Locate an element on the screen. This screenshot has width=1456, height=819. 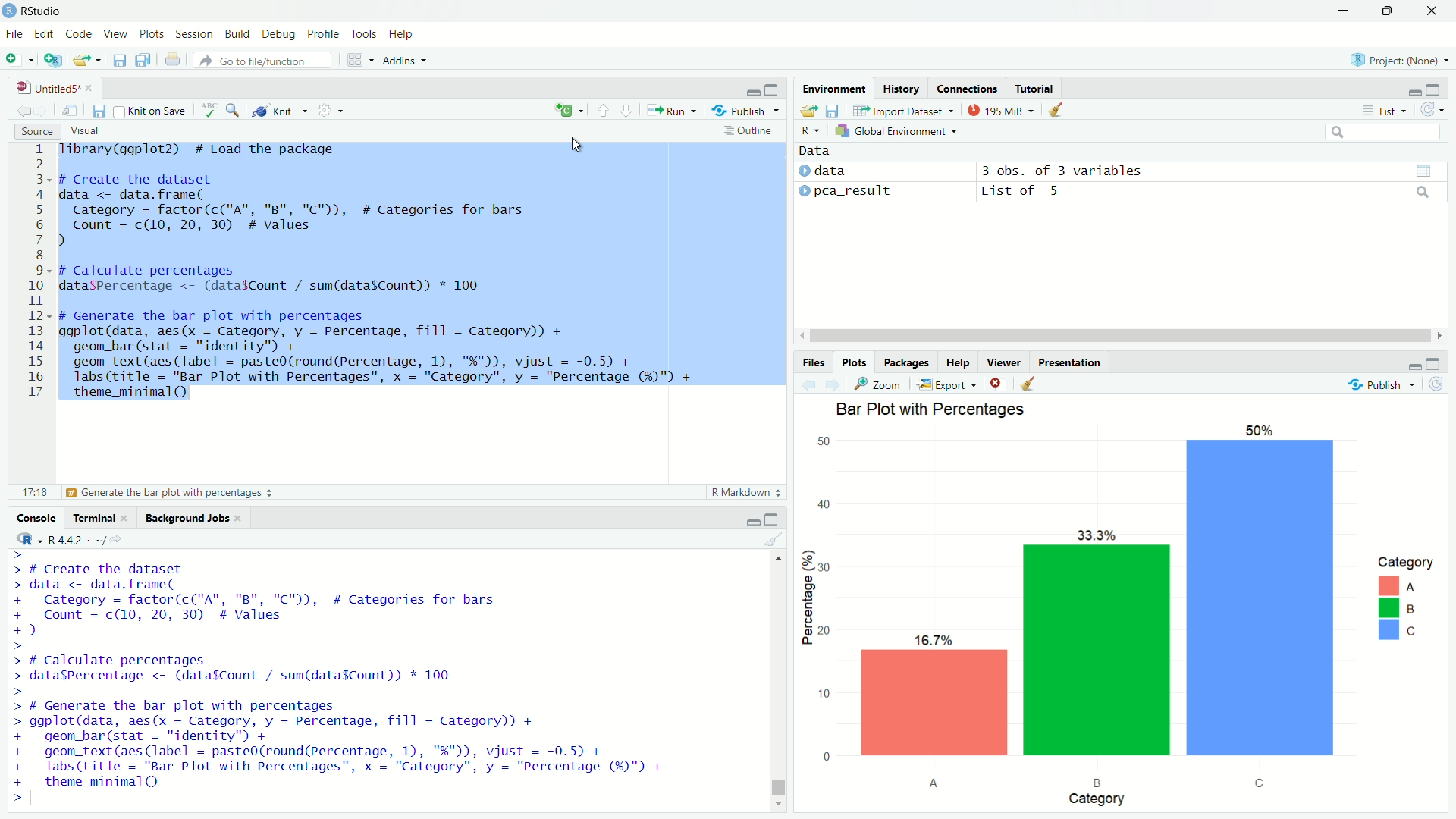
help is located at coordinates (958, 362).